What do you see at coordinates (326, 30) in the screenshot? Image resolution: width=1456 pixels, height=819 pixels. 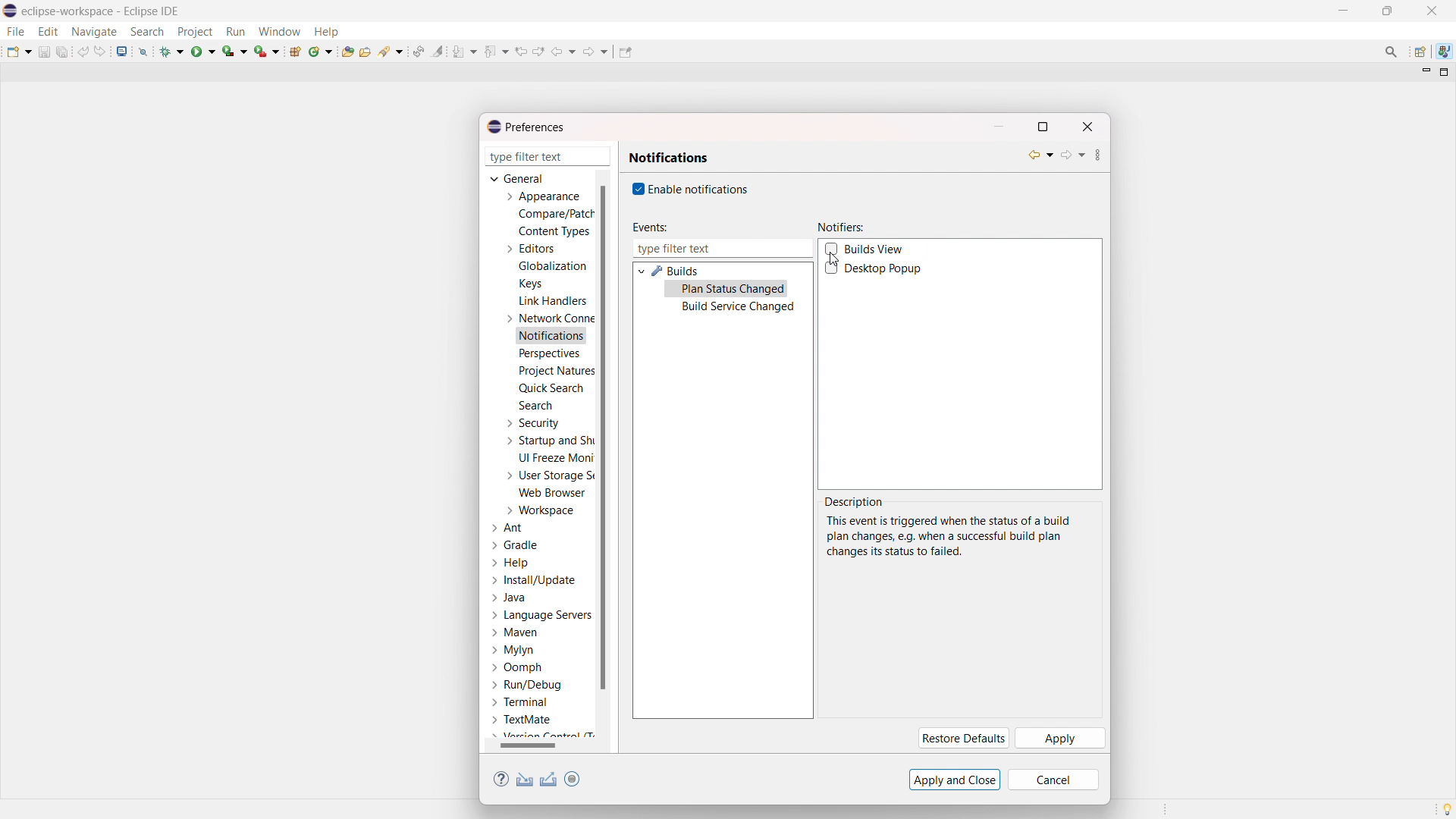 I see `help` at bounding box center [326, 30].